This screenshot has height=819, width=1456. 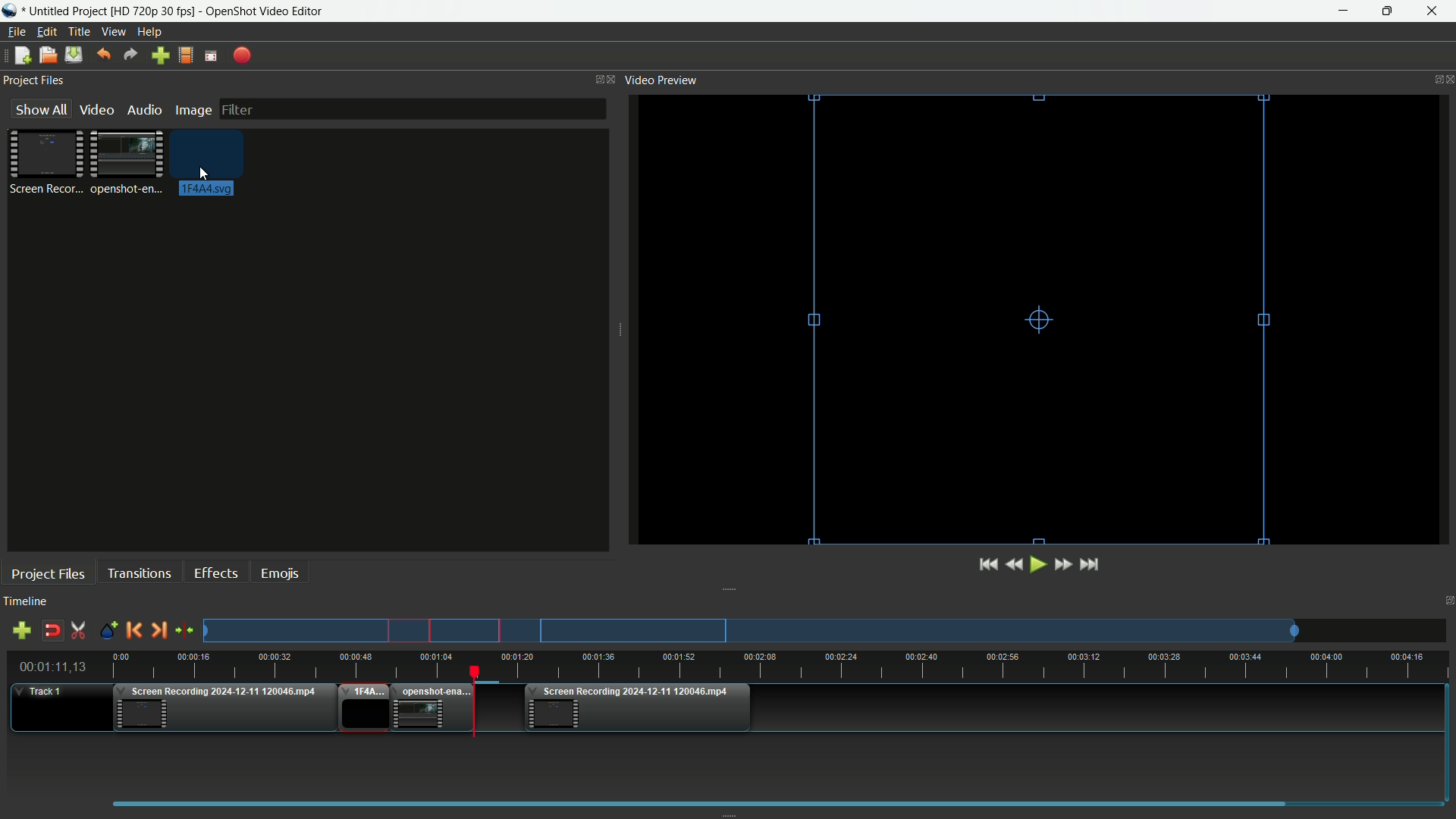 What do you see at coordinates (54, 631) in the screenshot?
I see `Disable snap` at bounding box center [54, 631].